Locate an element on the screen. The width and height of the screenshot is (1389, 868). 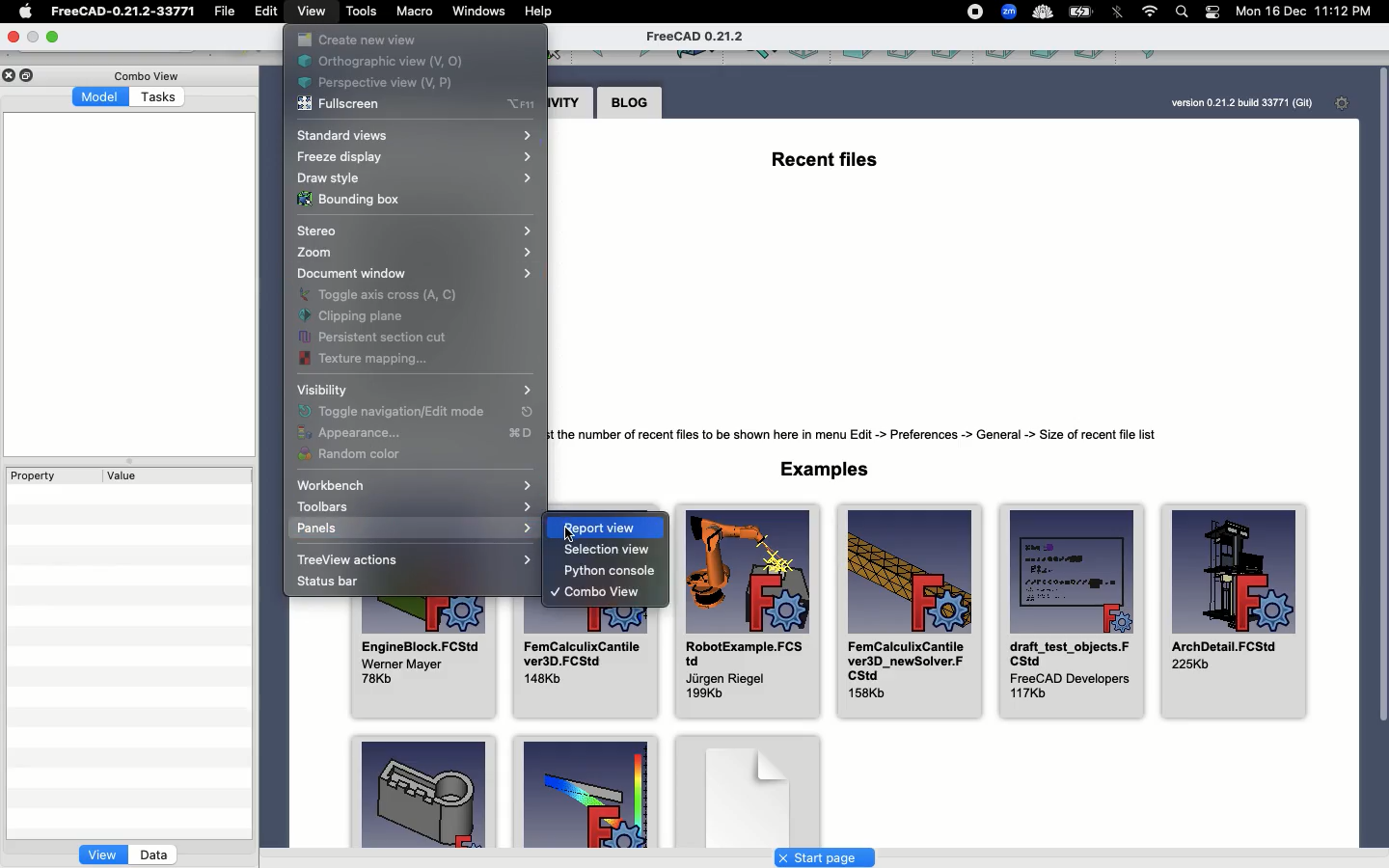
Toggle axis cross is located at coordinates (379, 295).